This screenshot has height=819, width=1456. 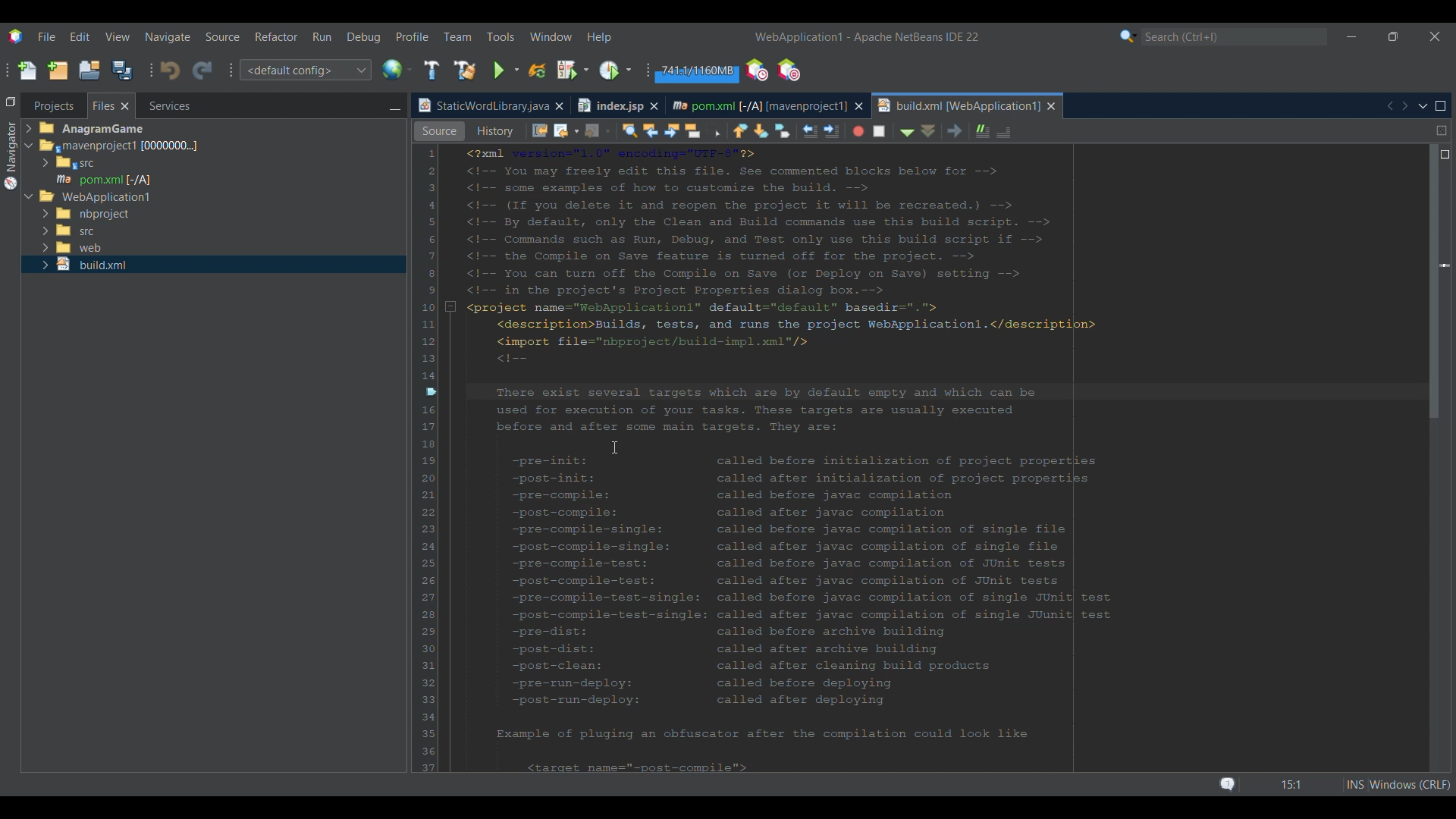 What do you see at coordinates (598, 38) in the screenshot?
I see `Help menu` at bounding box center [598, 38].